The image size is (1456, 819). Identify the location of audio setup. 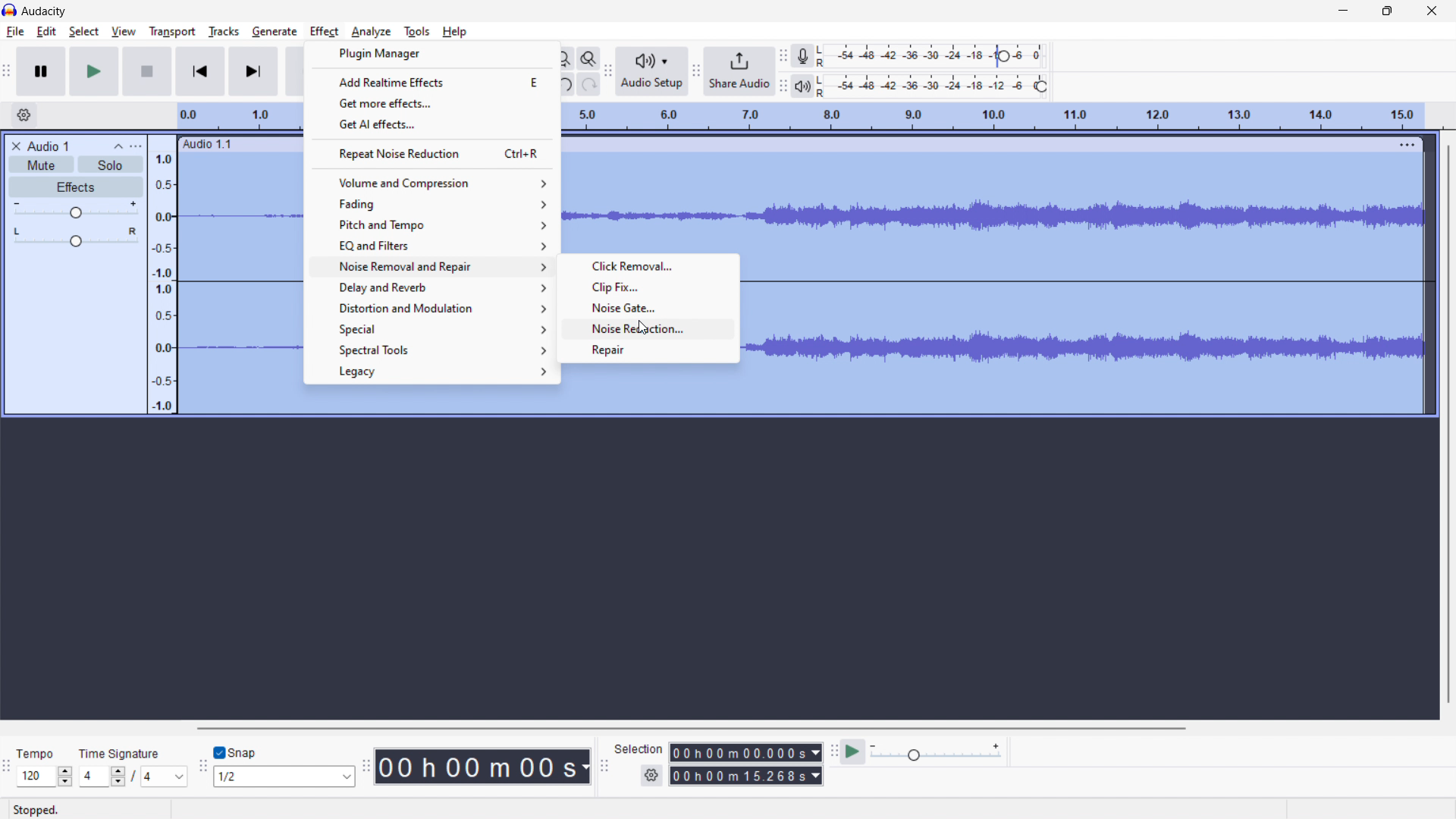
(651, 71).